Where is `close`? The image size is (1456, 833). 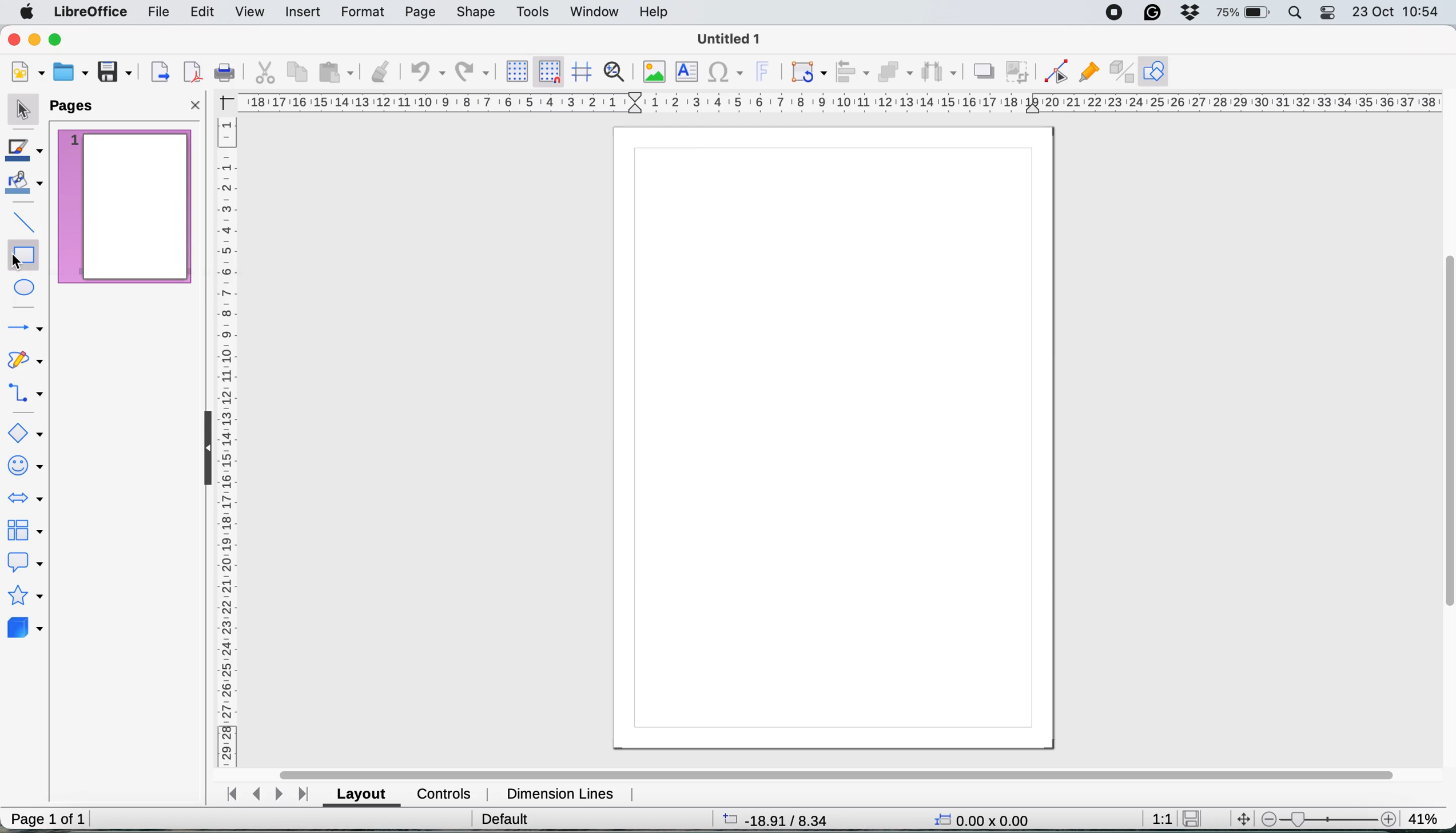
close is located at coordinates (196, 104).